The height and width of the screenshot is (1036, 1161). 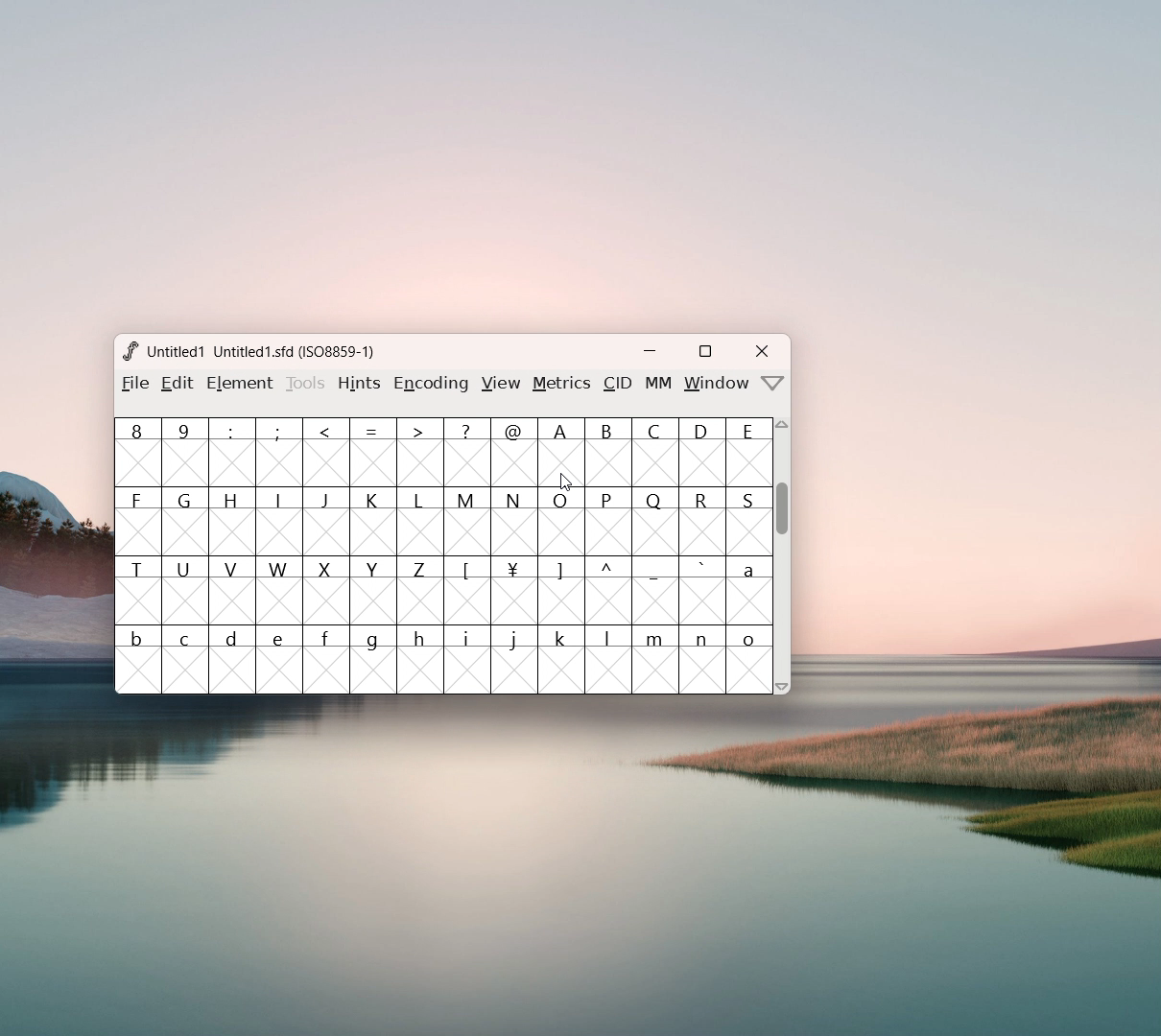 I want to click on n, so click(x=703, y=661).